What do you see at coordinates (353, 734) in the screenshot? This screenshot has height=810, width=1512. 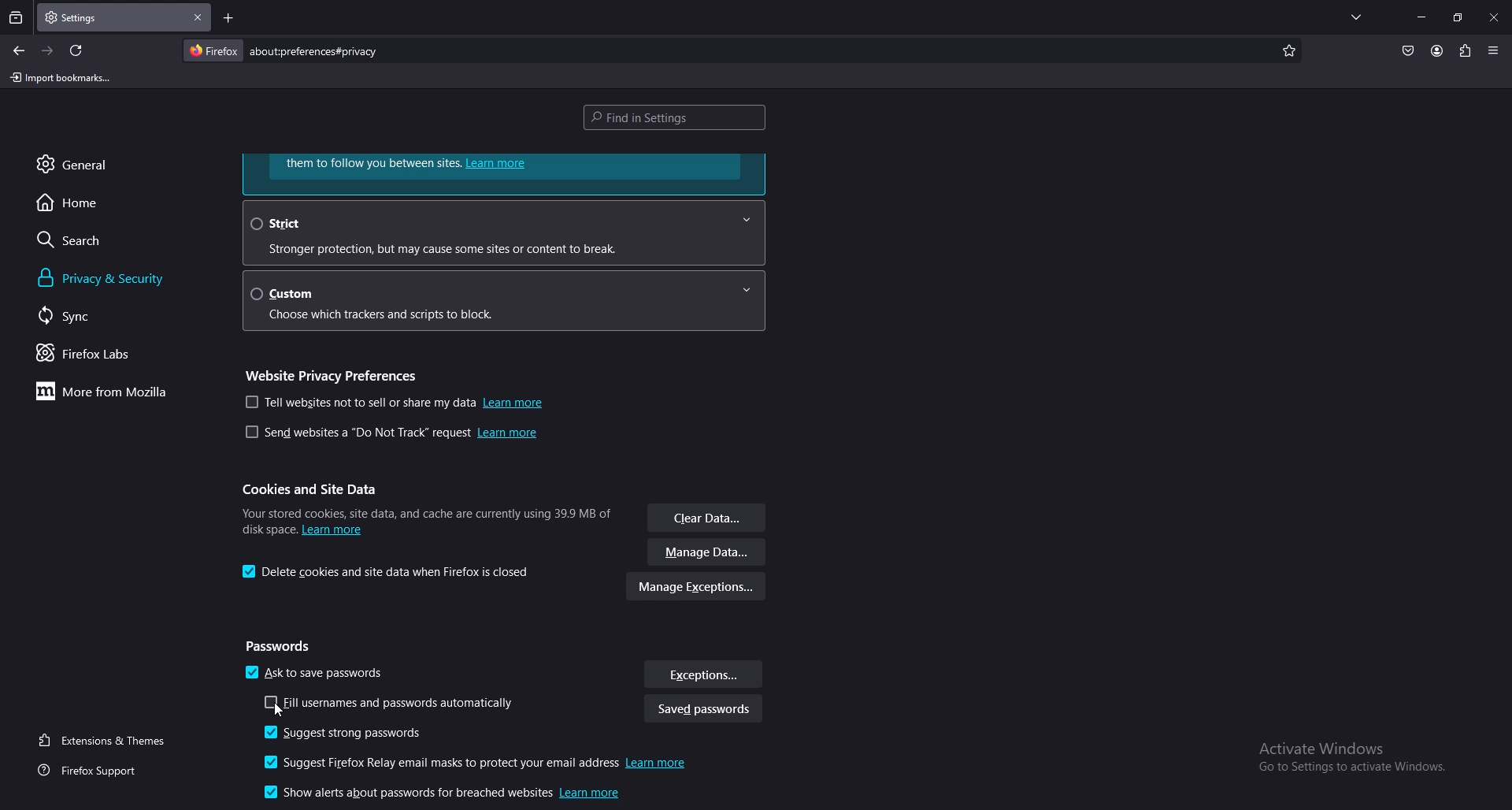 I see `suggest strong password` at bounding box center [353, 734].